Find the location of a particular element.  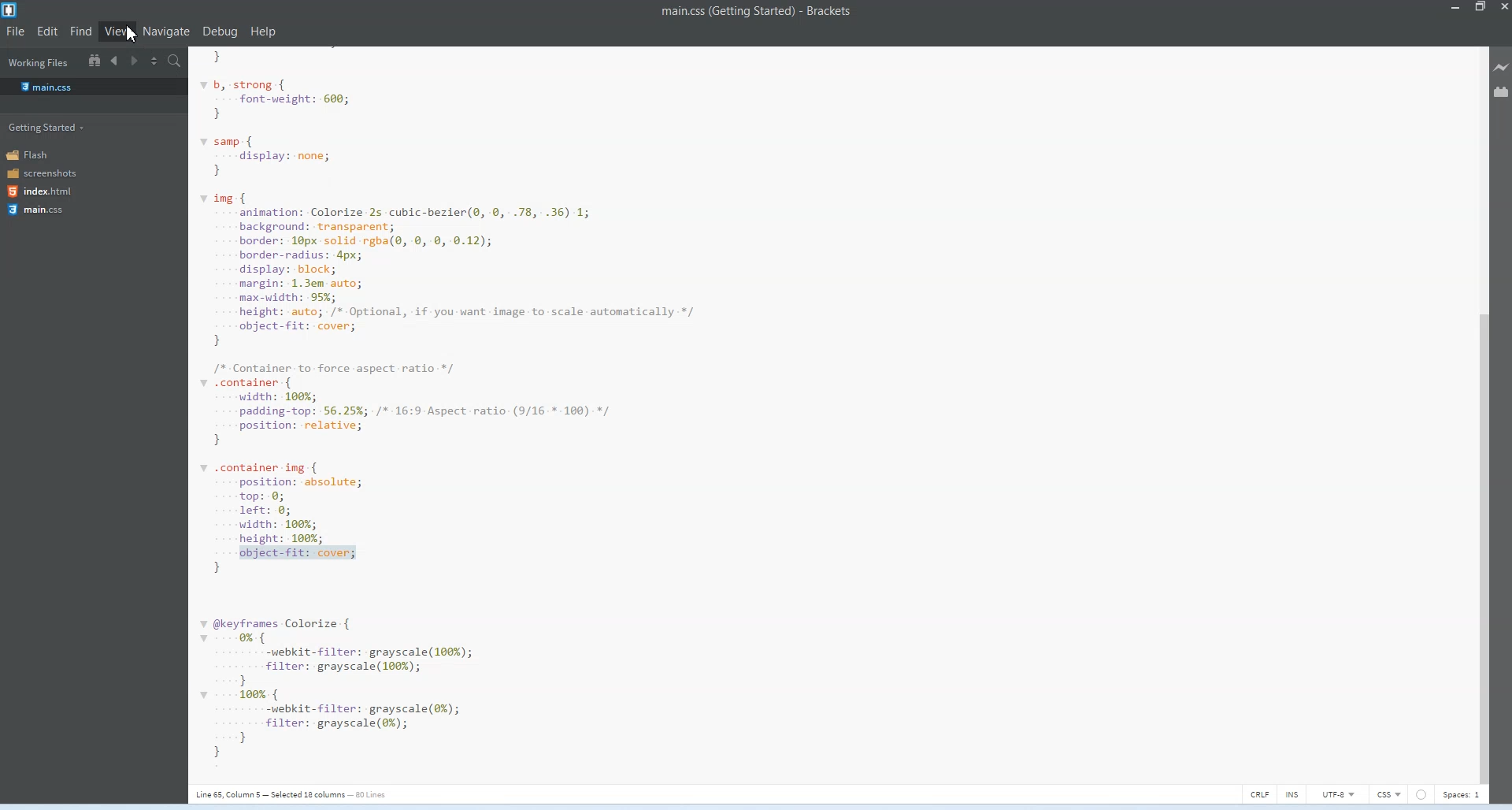

Vertical Scroll bar is located at coordinates (1480, 414).